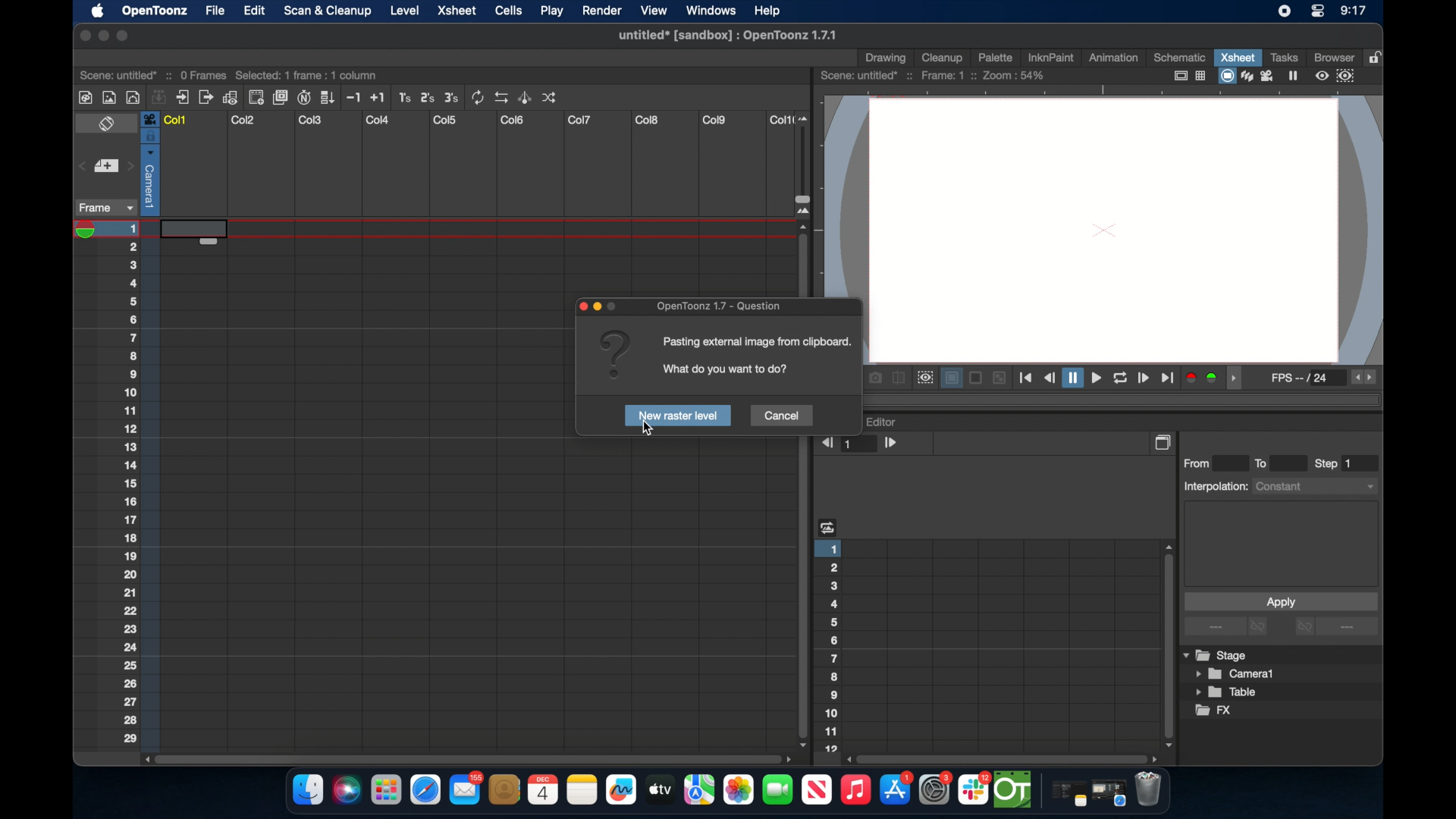 This screenshot has height=819, width=1456. Describe the element at coordinates (924, 378) in the screenshot. I see `preview` at that location.